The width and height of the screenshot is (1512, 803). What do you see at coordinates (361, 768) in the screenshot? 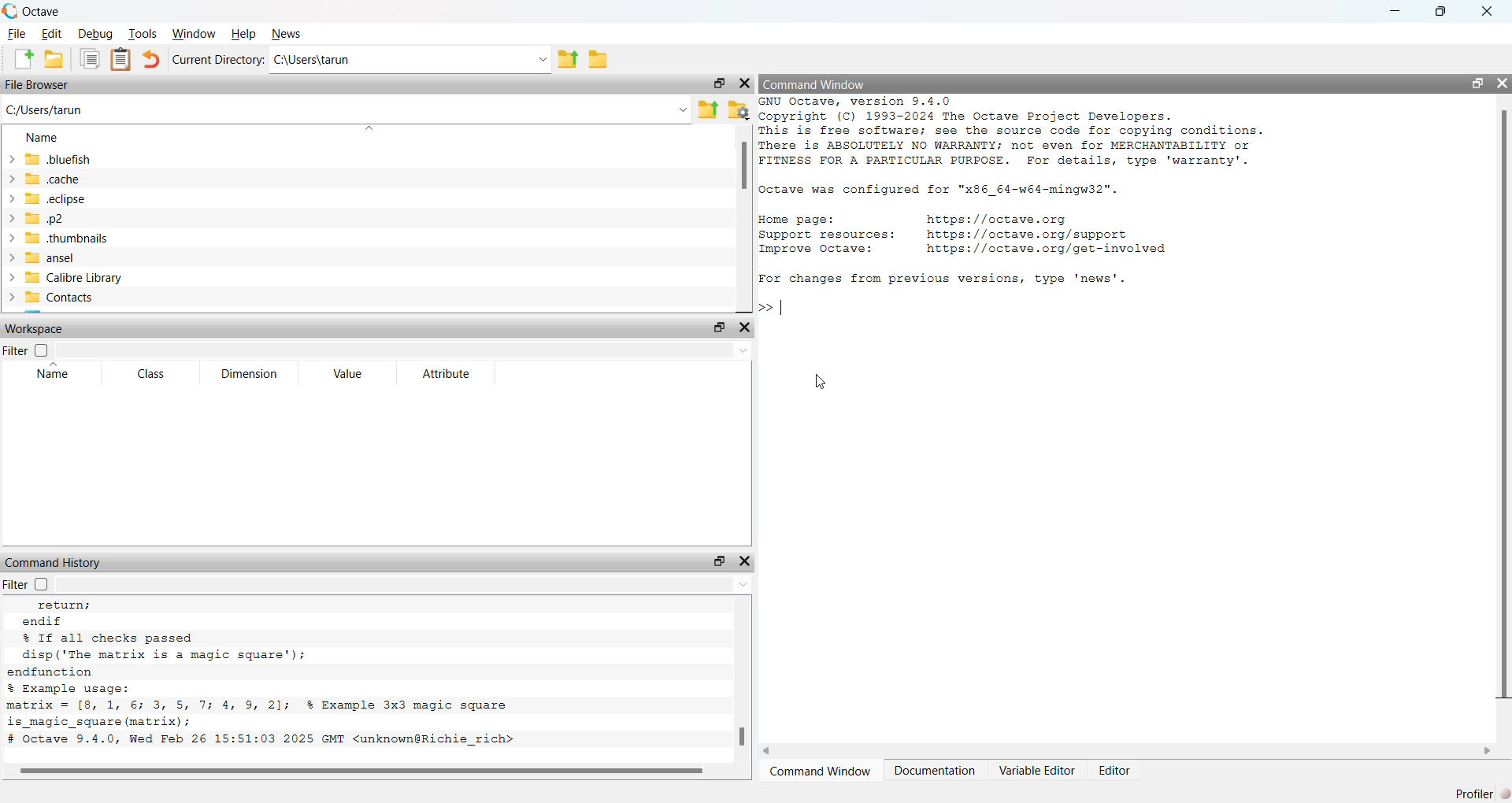
I see `scroll bar` at bounding box center [361, 768].